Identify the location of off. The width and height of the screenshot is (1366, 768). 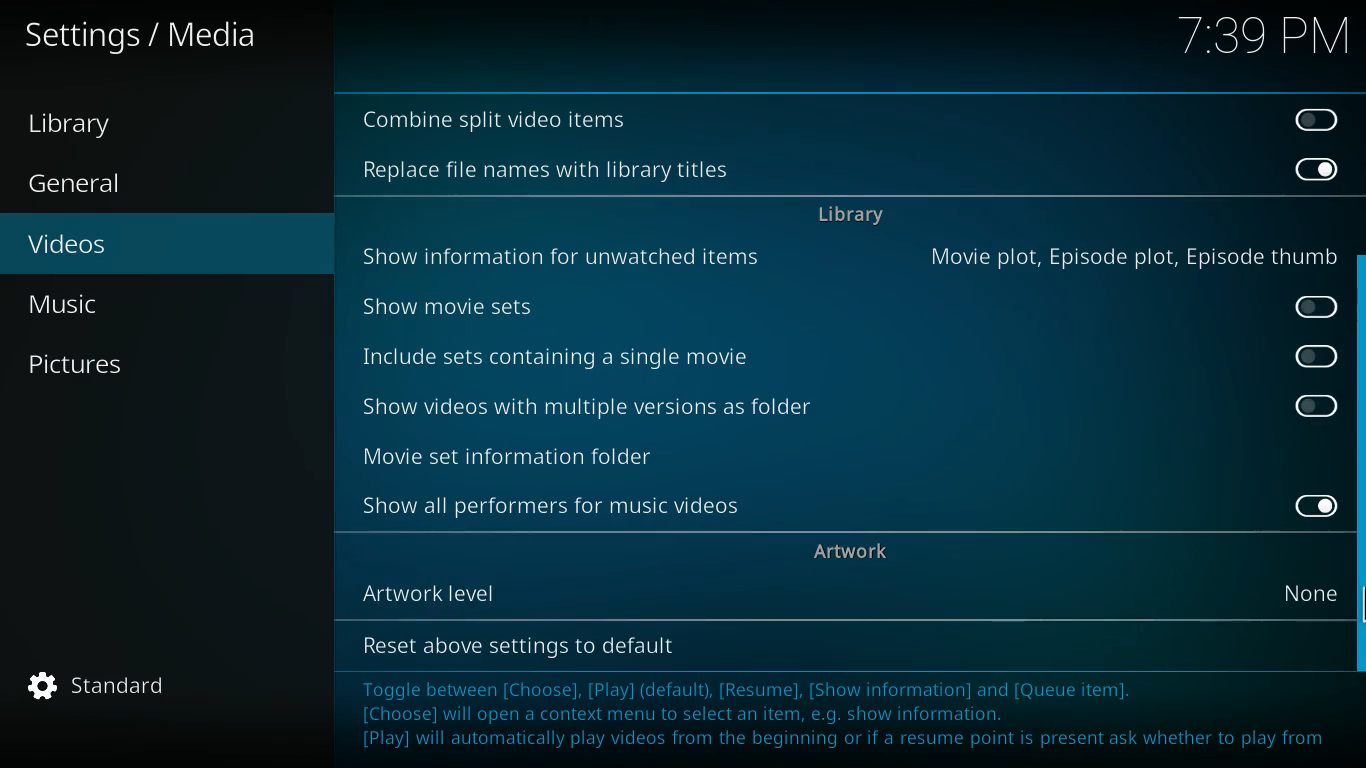
(1313, 118).